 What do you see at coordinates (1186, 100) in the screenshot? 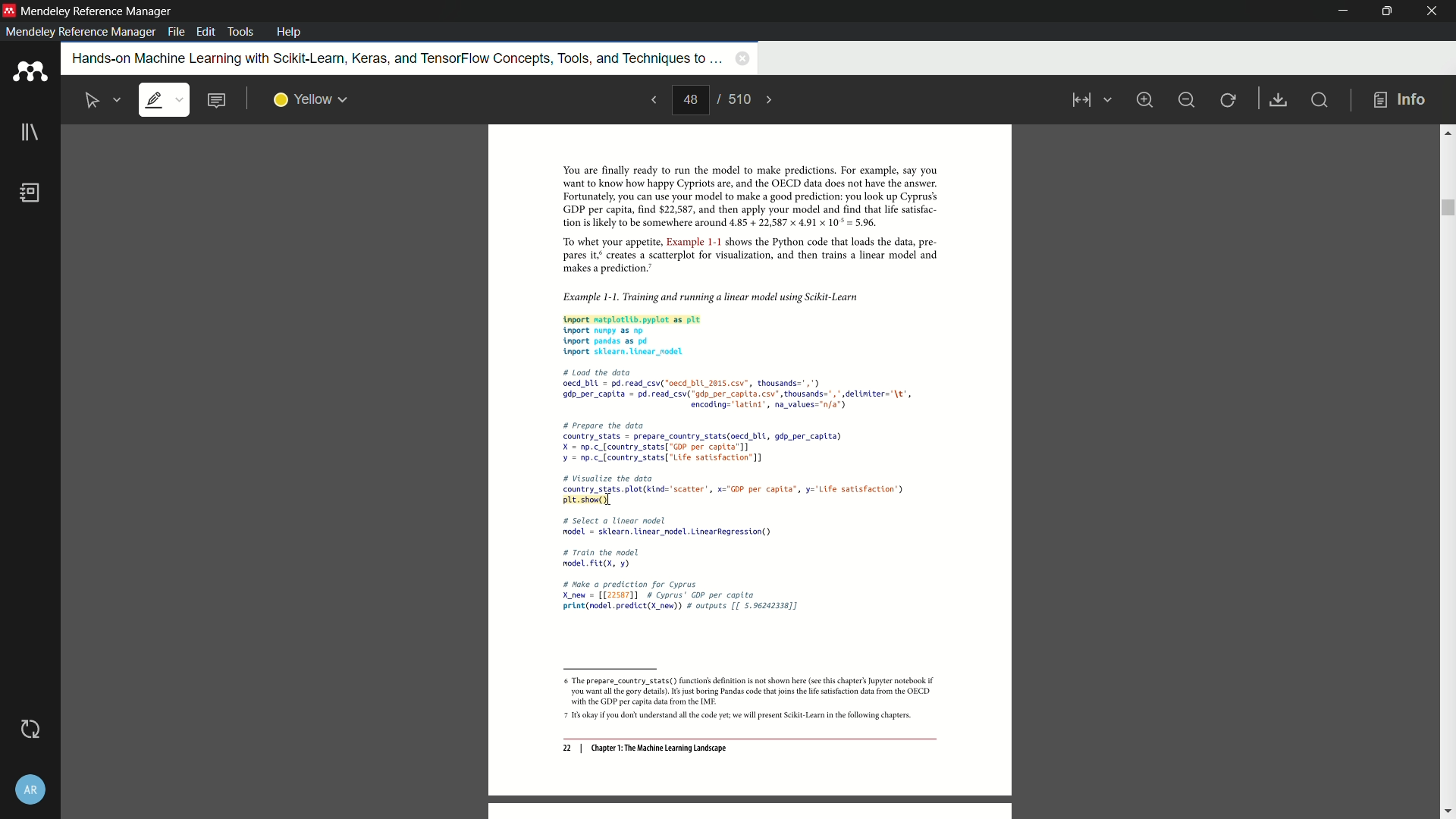
I see `minimize` at bounding box center [1186, 100].